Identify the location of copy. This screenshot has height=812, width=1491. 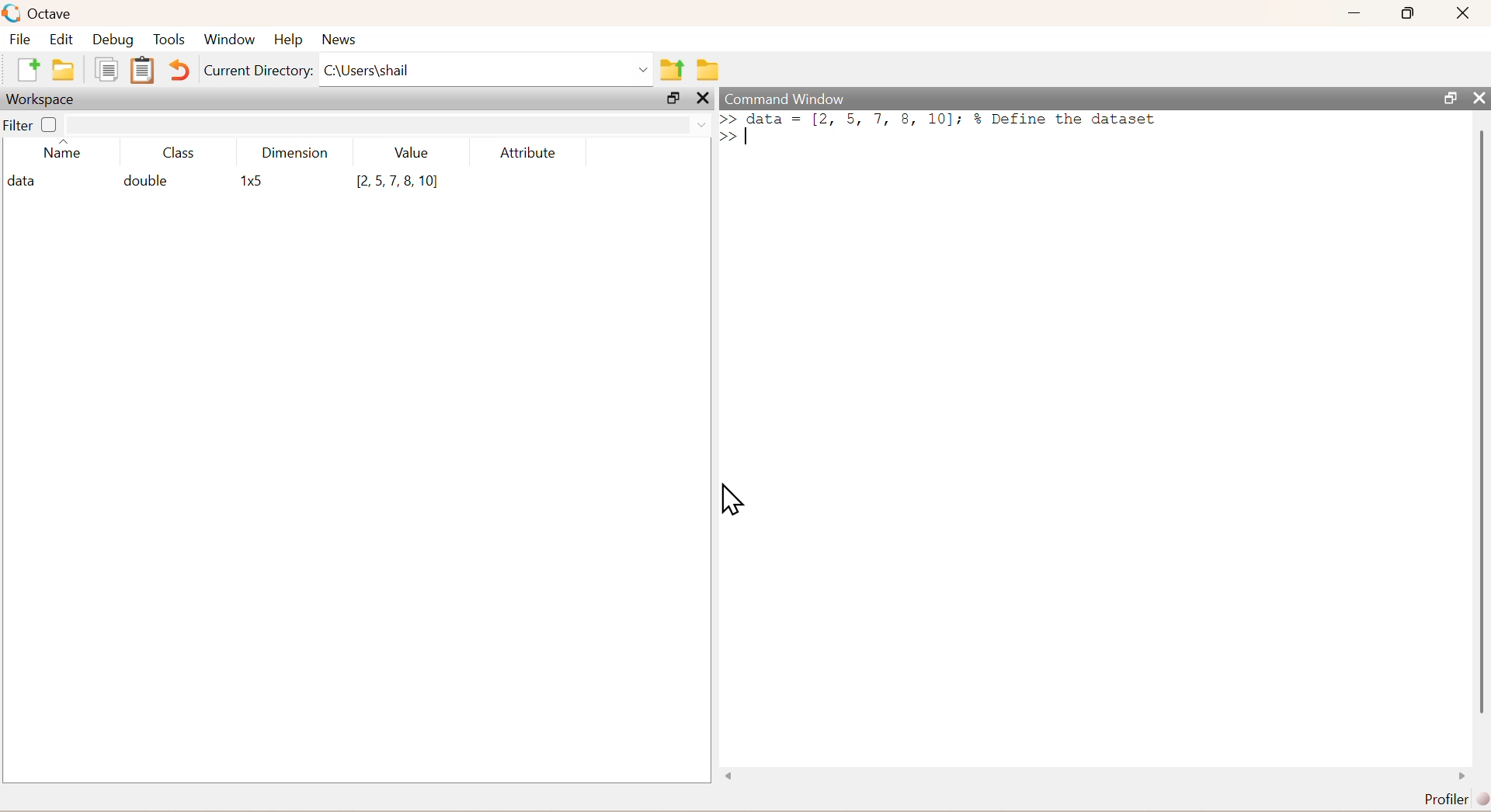
(106, 69).